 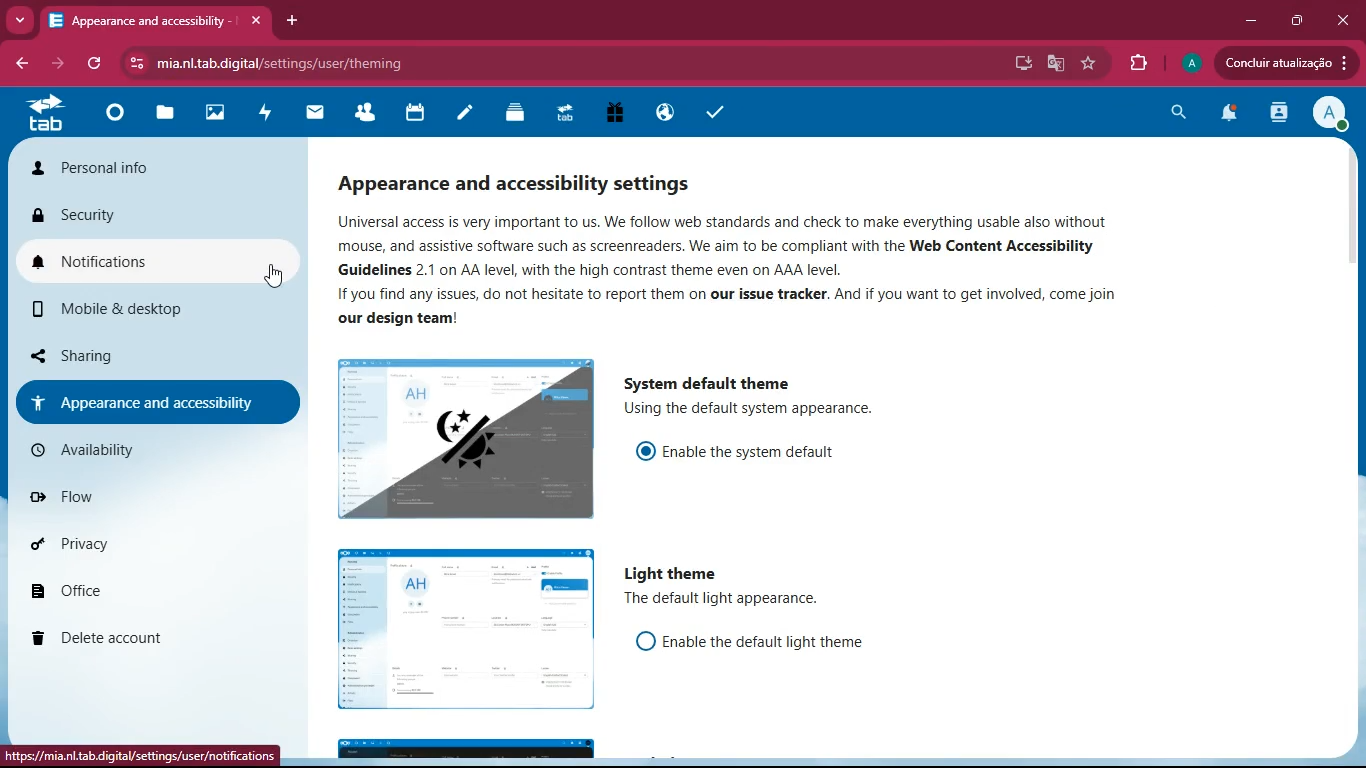 I want to click on notes, so click(x=470, y=115).